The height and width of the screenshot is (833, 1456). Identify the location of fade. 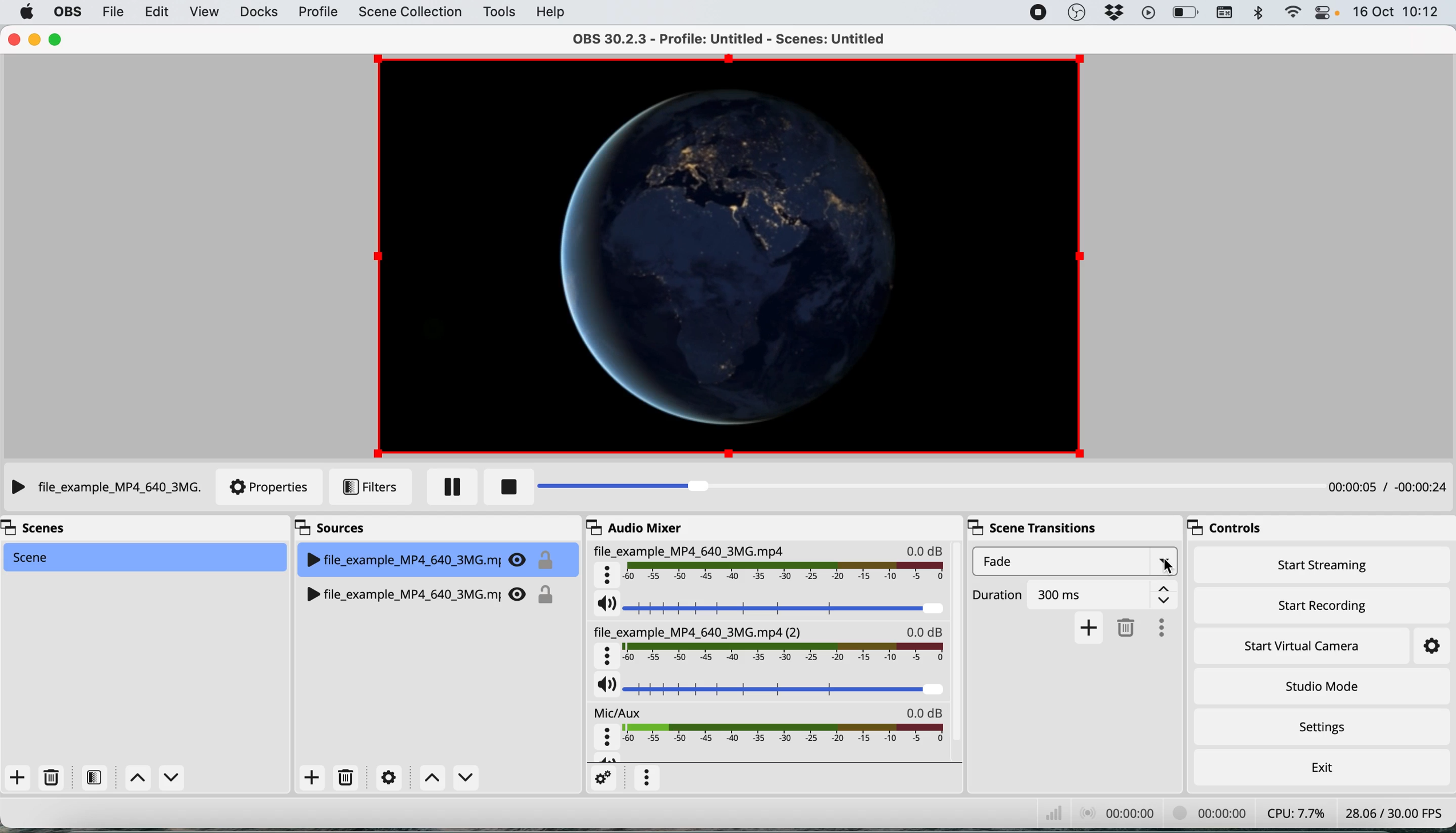
(1051, 559).